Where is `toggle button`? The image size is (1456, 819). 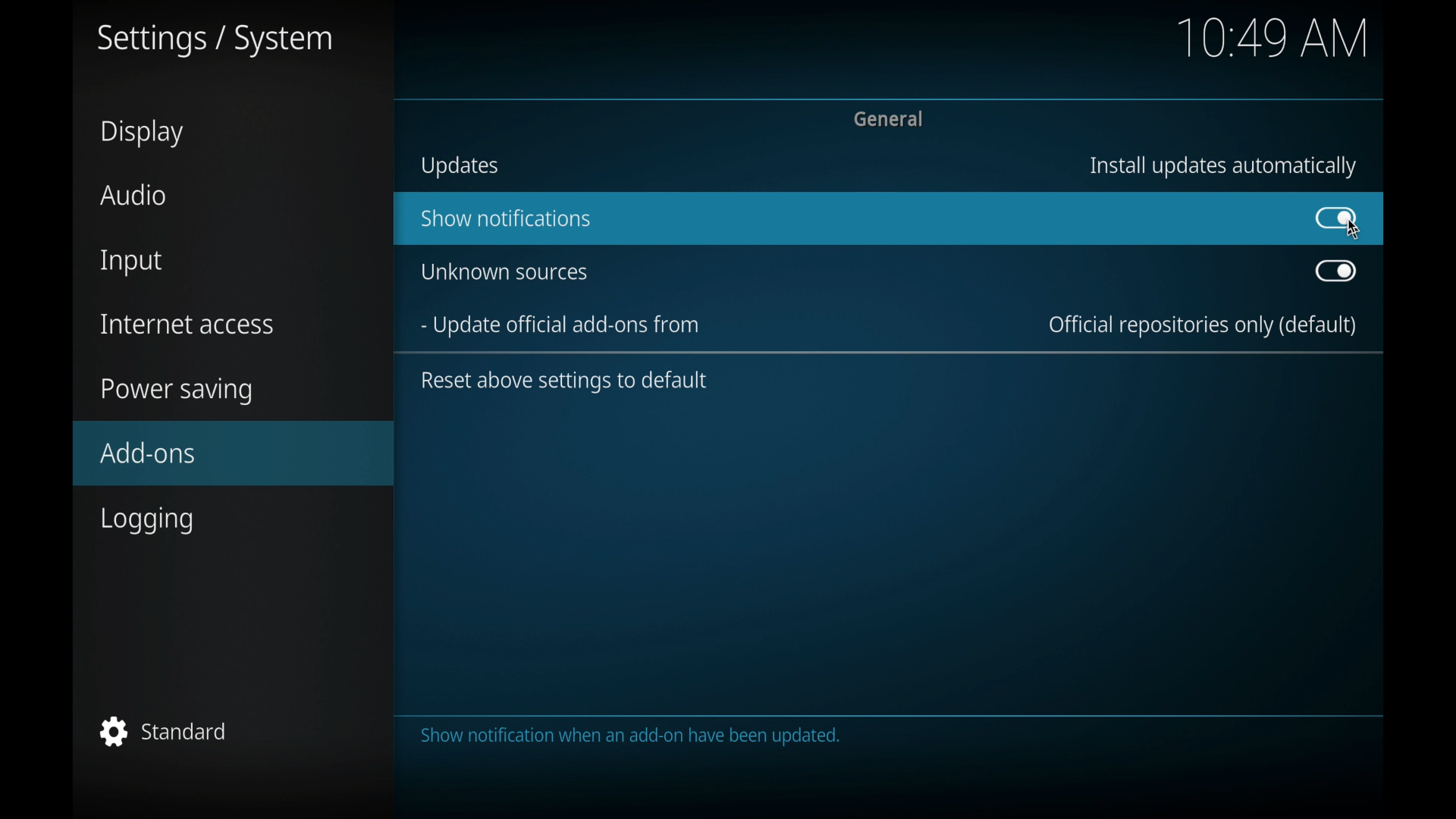 toggle button is located at coordinates (1335, 271).